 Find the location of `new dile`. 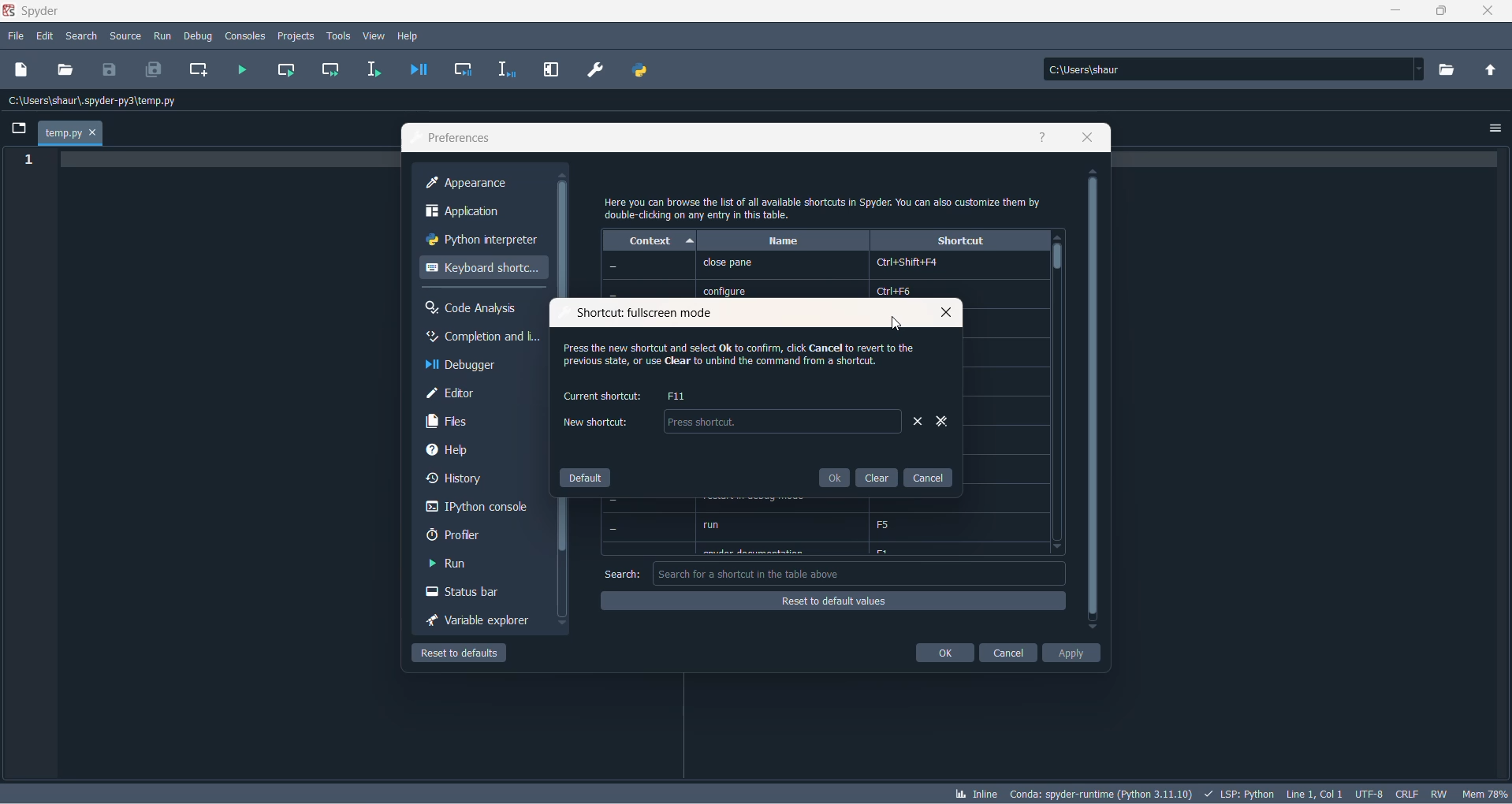

new dile is located at coordinates (22, 69).